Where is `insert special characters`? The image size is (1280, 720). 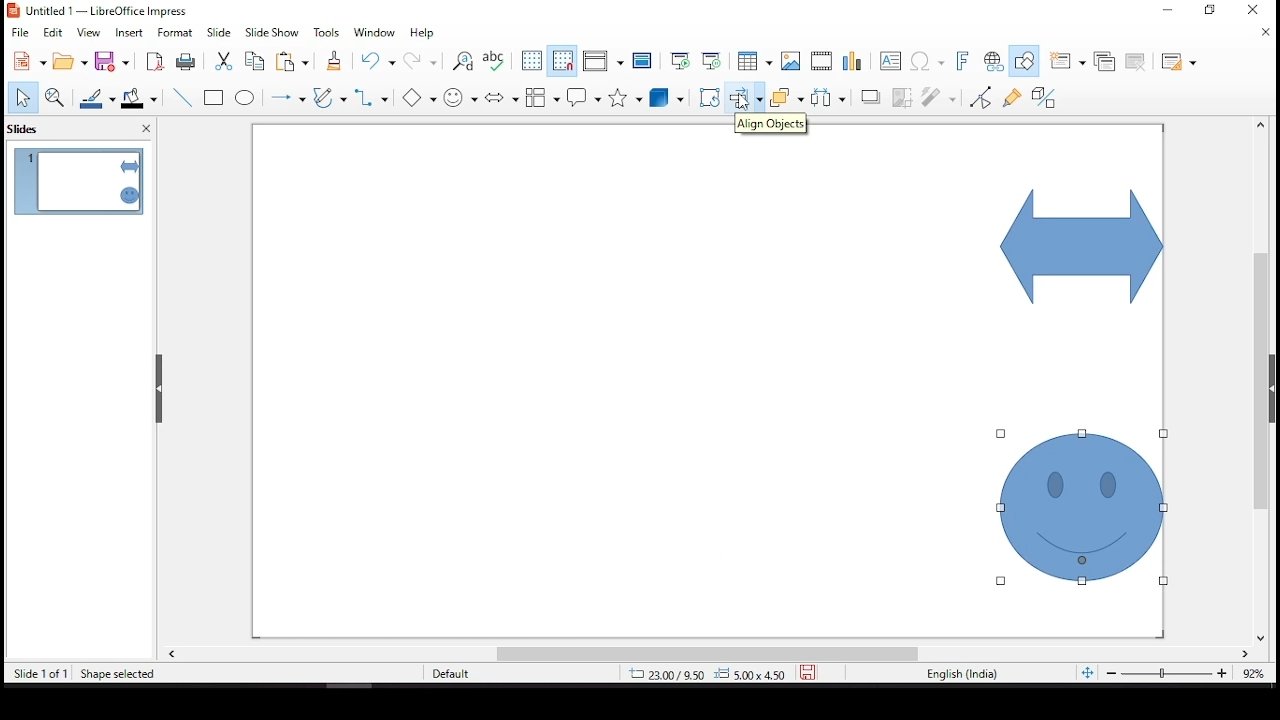 insert special characters is located at coordinates (927, 60).